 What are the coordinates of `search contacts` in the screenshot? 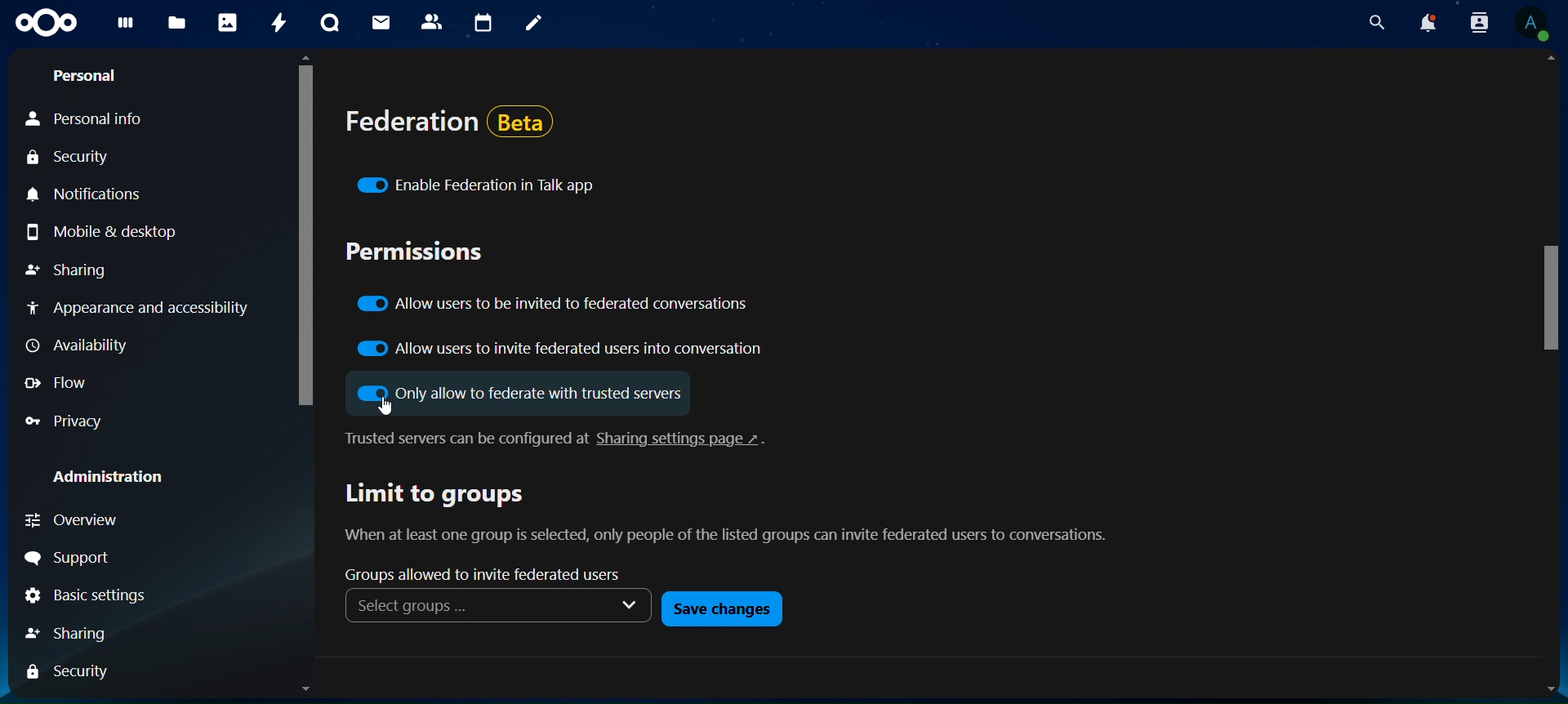 It's located at (1477, 23).